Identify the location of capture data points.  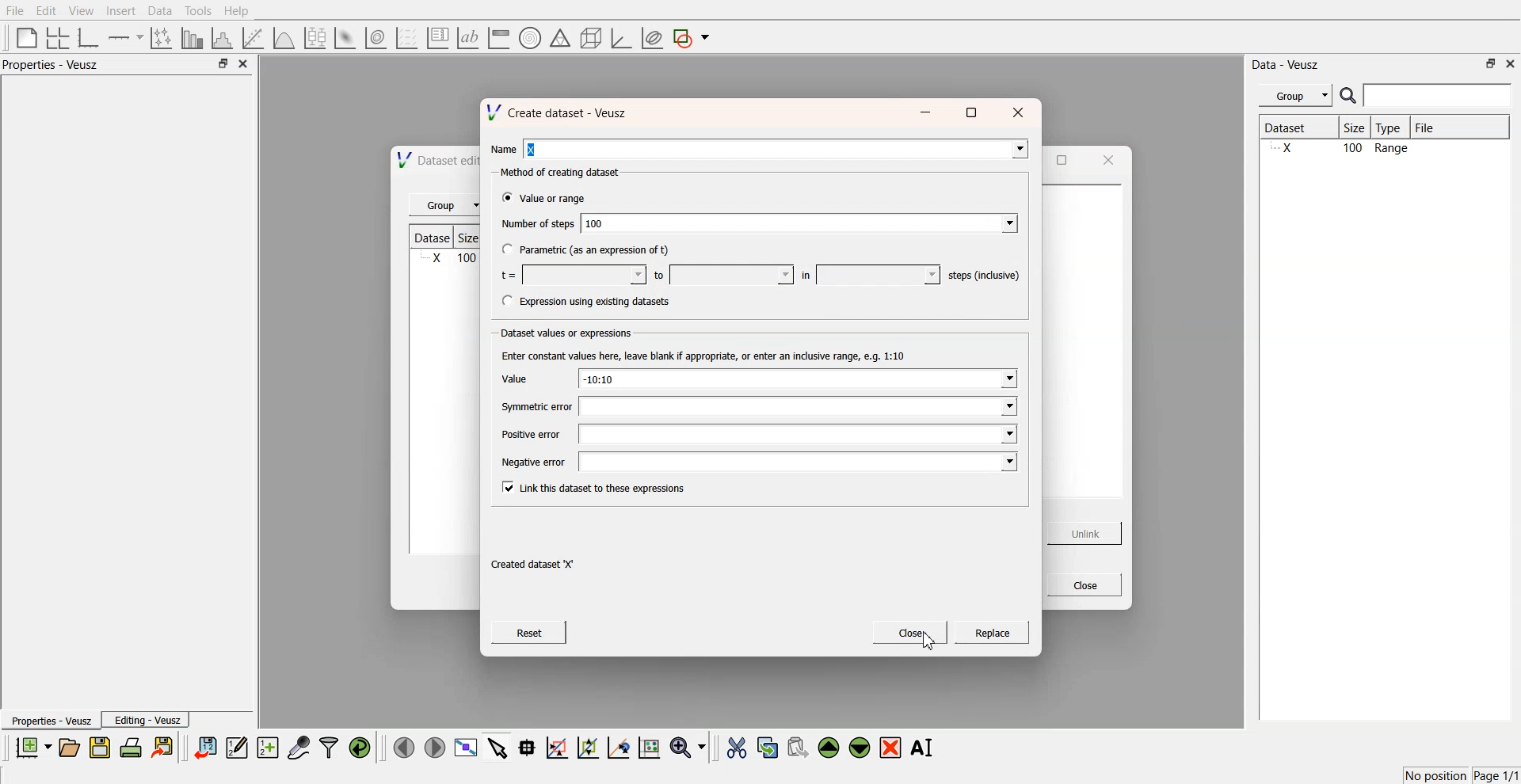
(299, 748).